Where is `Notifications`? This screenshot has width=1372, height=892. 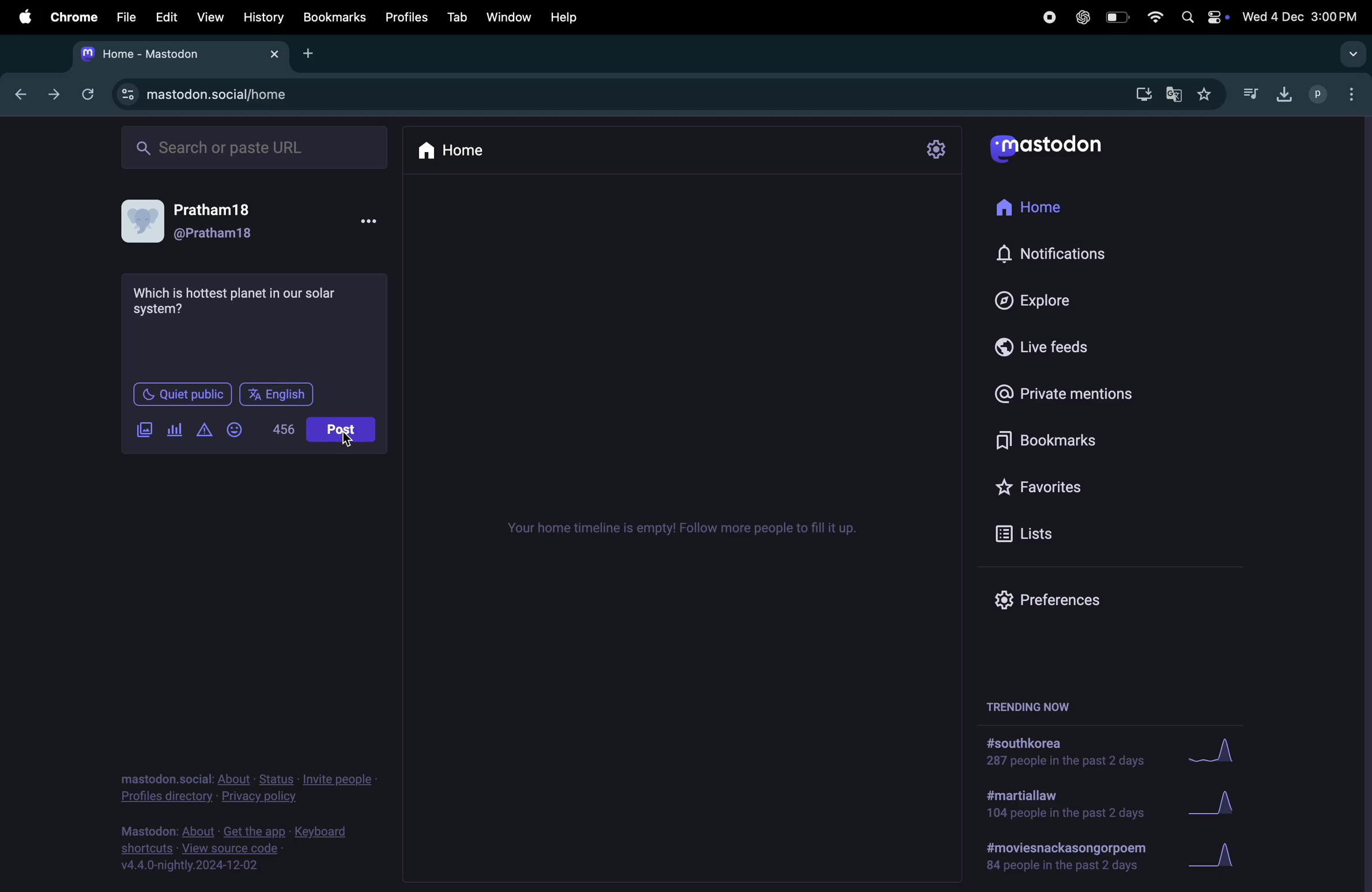 Notifications is located at coordinates (1080, 252).